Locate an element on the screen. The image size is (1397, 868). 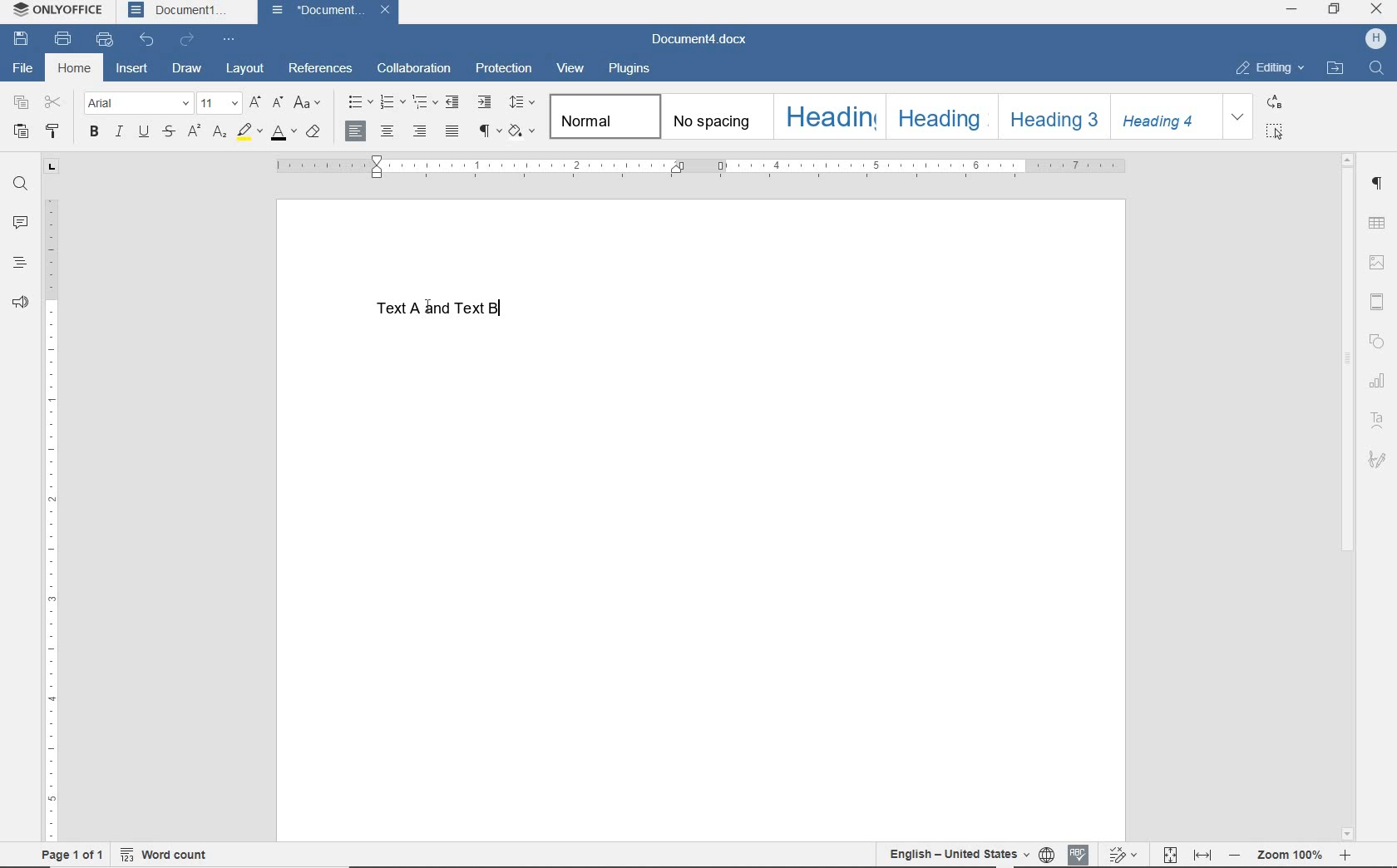
restore down is located at coordinates (1335, 10).